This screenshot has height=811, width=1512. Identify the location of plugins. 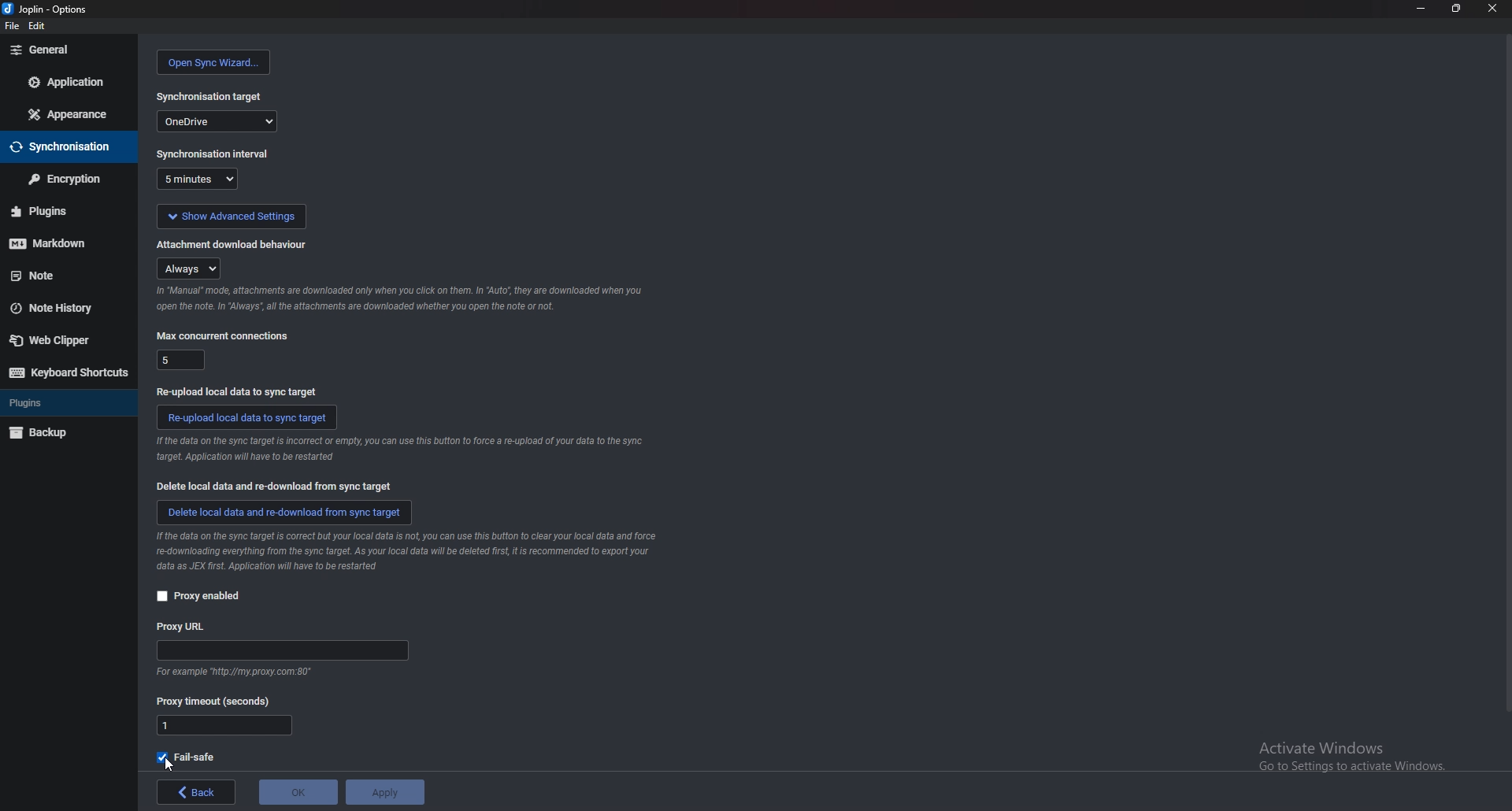
(64, 211).